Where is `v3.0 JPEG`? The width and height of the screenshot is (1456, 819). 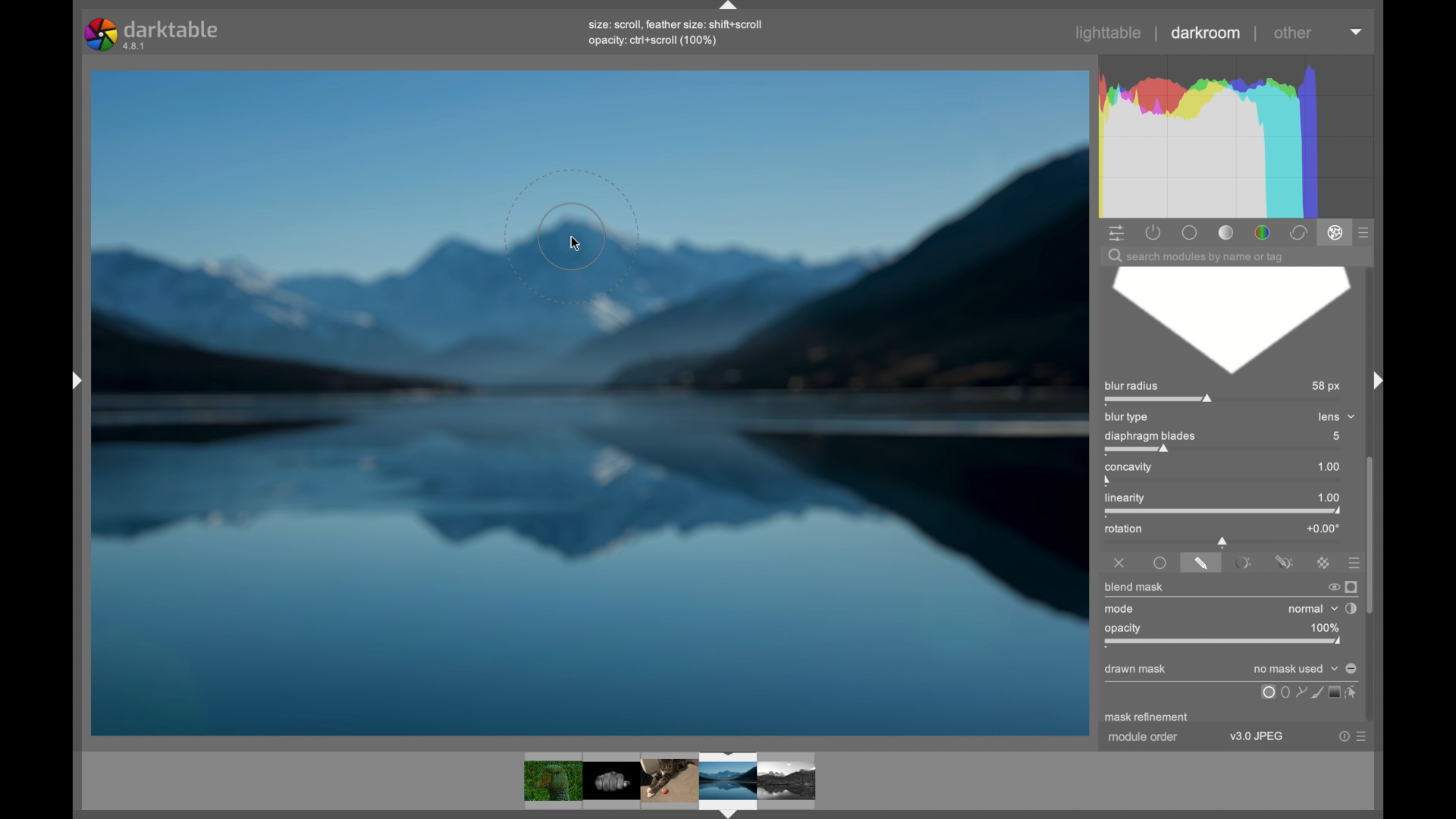 v3.0 JPEG is located at coordinates (1260, 739).